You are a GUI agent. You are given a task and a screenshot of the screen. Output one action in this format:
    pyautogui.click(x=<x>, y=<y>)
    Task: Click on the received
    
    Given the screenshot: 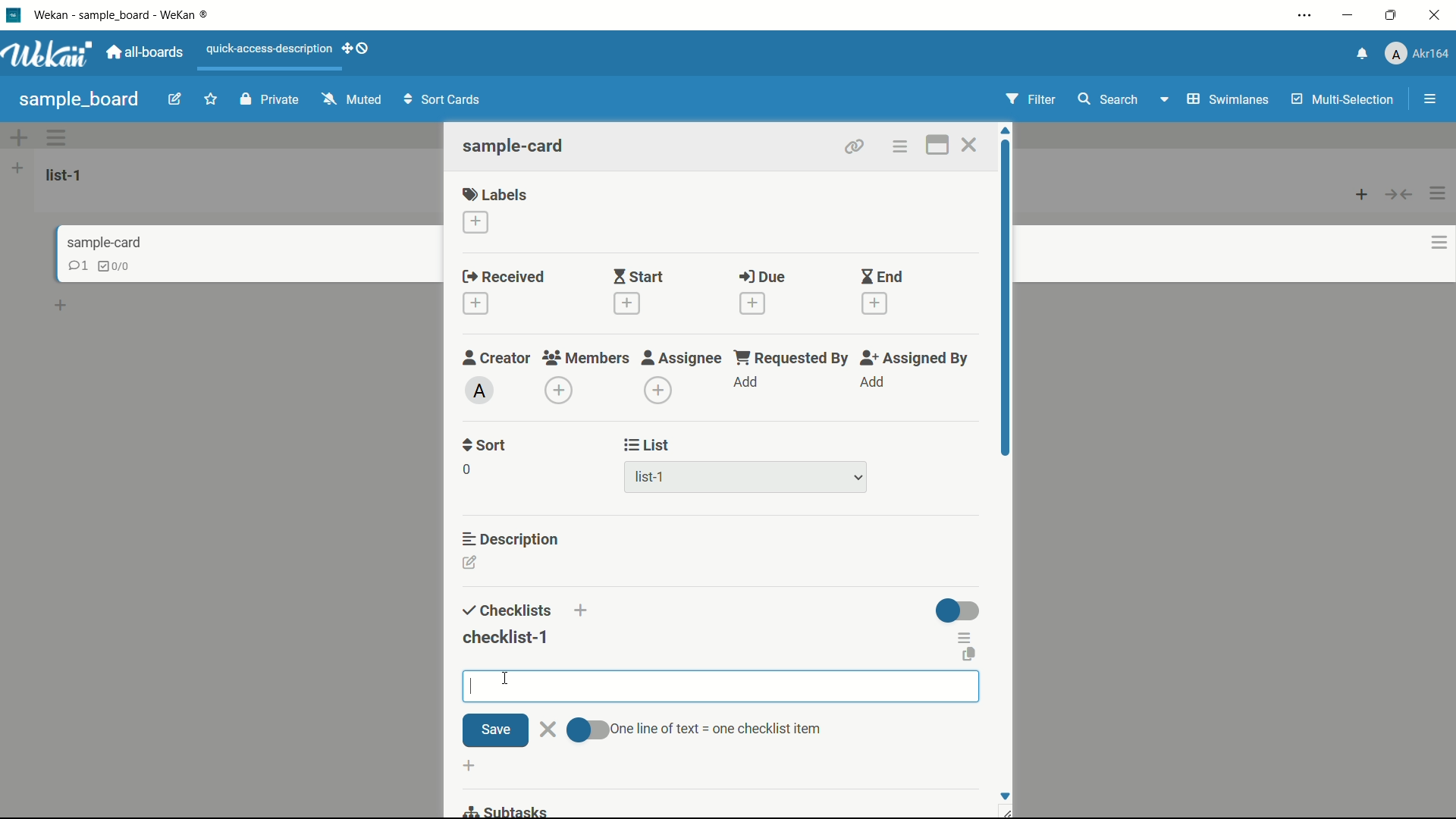 What is the action you would take?
    pyautogui.click(x=500, y=277)
    